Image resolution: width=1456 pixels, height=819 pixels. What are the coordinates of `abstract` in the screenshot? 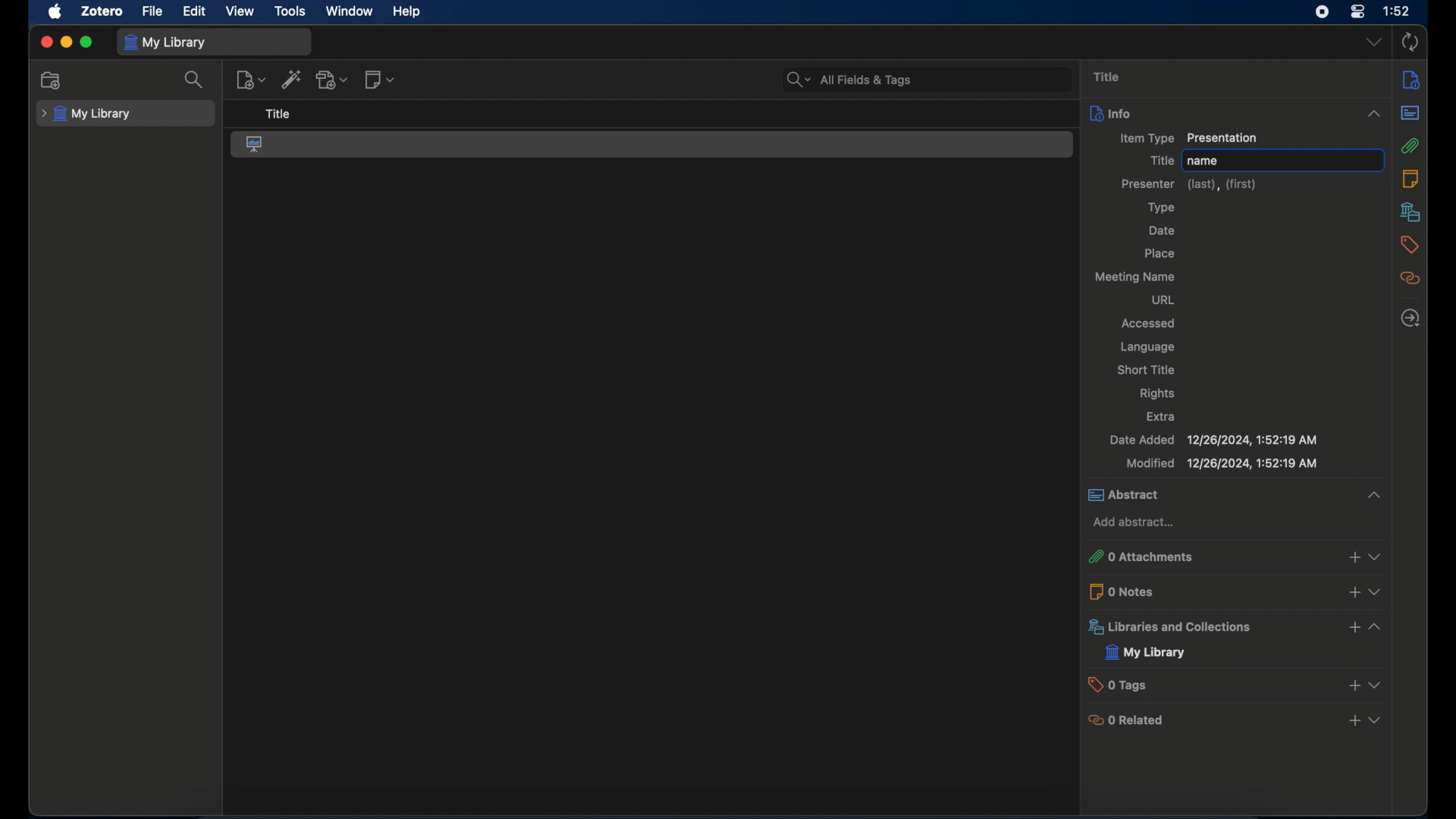 It's located at (1410, 112).